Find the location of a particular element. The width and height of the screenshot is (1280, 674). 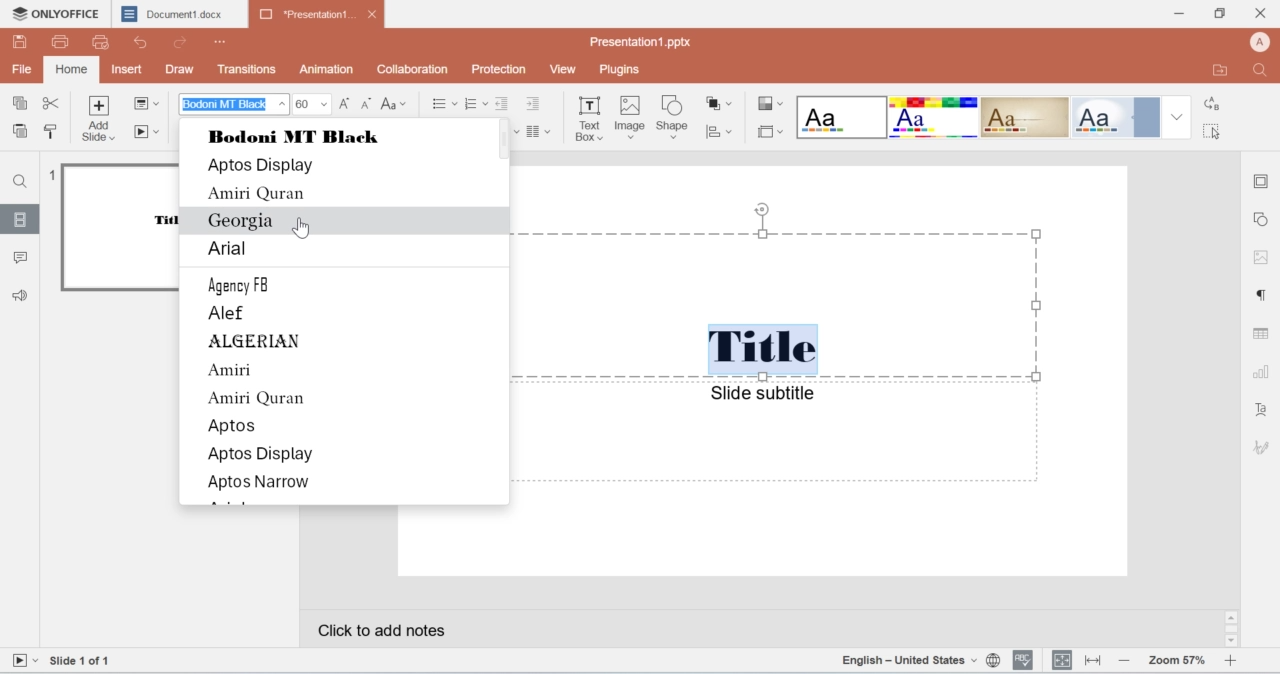

copy is located at coordinates (23, 105).